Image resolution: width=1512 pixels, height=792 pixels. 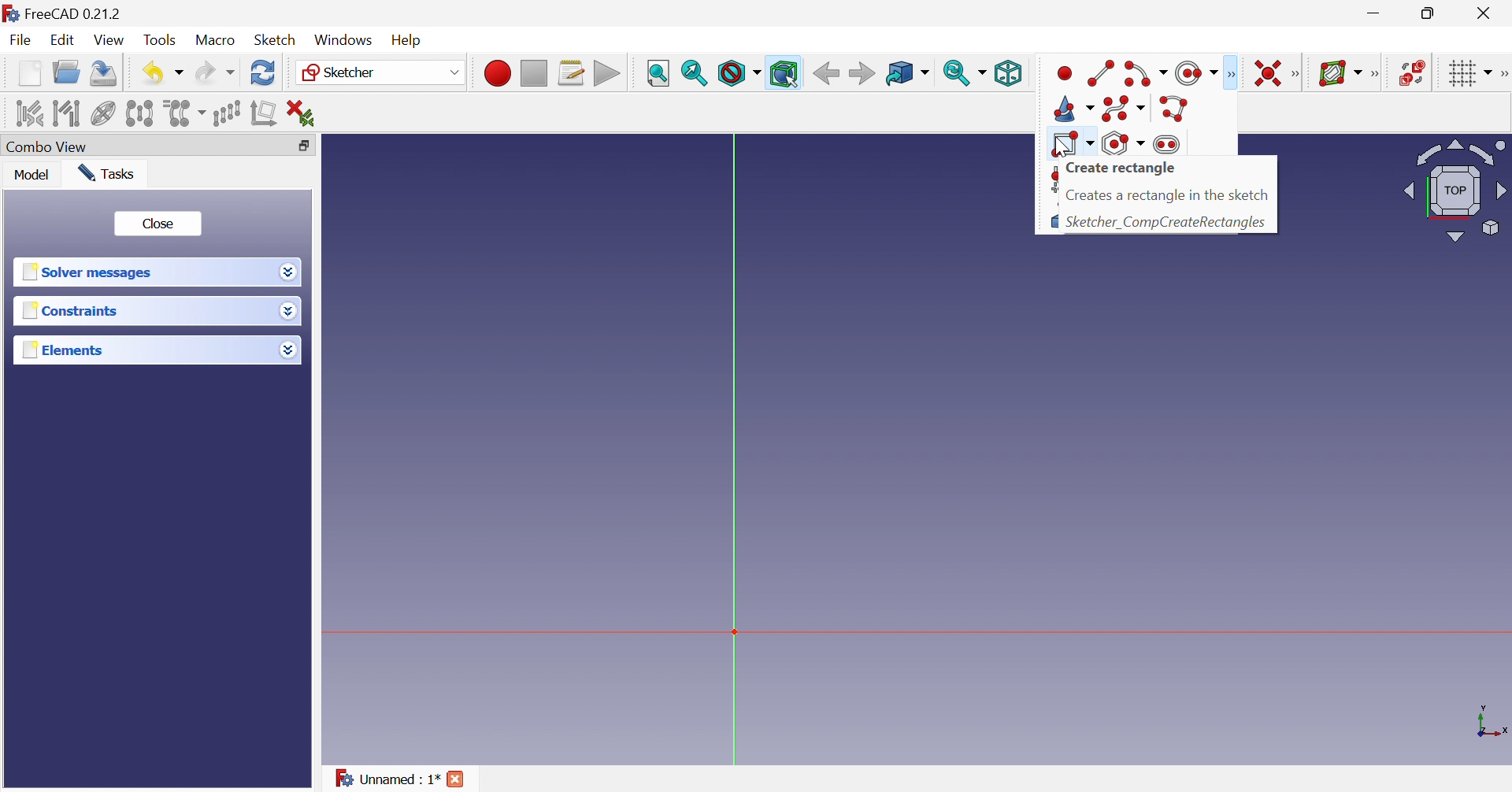 I want to click on Combo view, so click(x=45, y=147).